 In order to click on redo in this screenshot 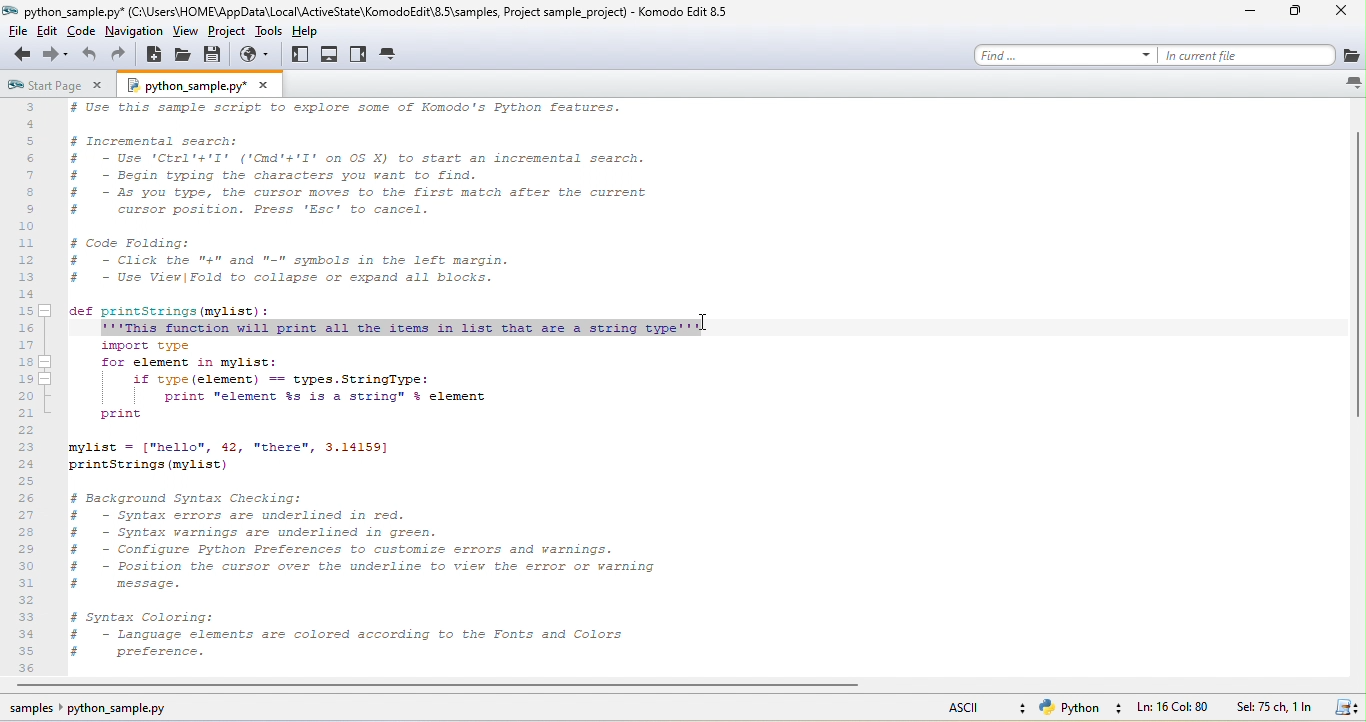, I will do `click(124, 54)`.